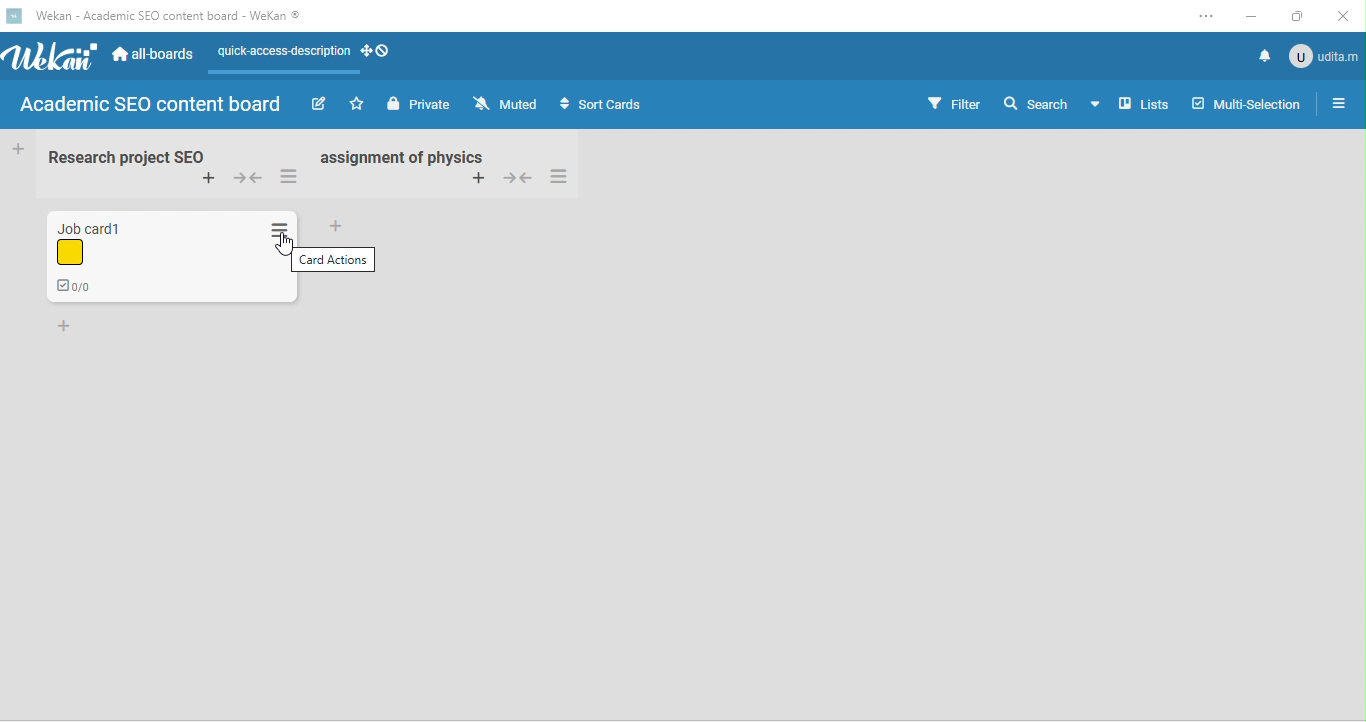 The height and width of the screenshot is (722, 1366). What do you see at coordinates (1341, 103) in the screenshot?
I see `open/close sidebar` at bounding box center [1341, 103].